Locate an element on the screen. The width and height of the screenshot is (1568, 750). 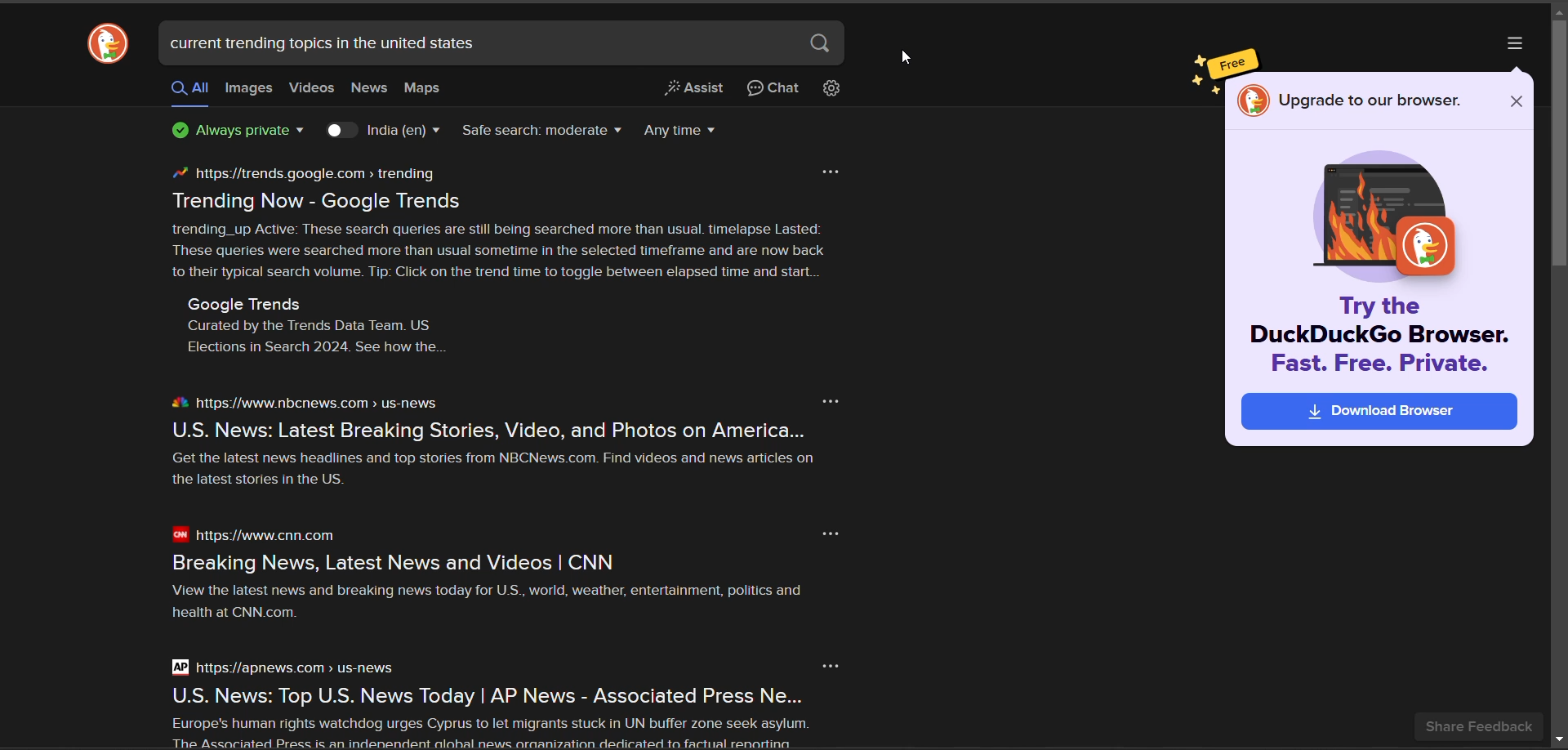
Upgrade to our browser. is located at coordinates (1375, 100).